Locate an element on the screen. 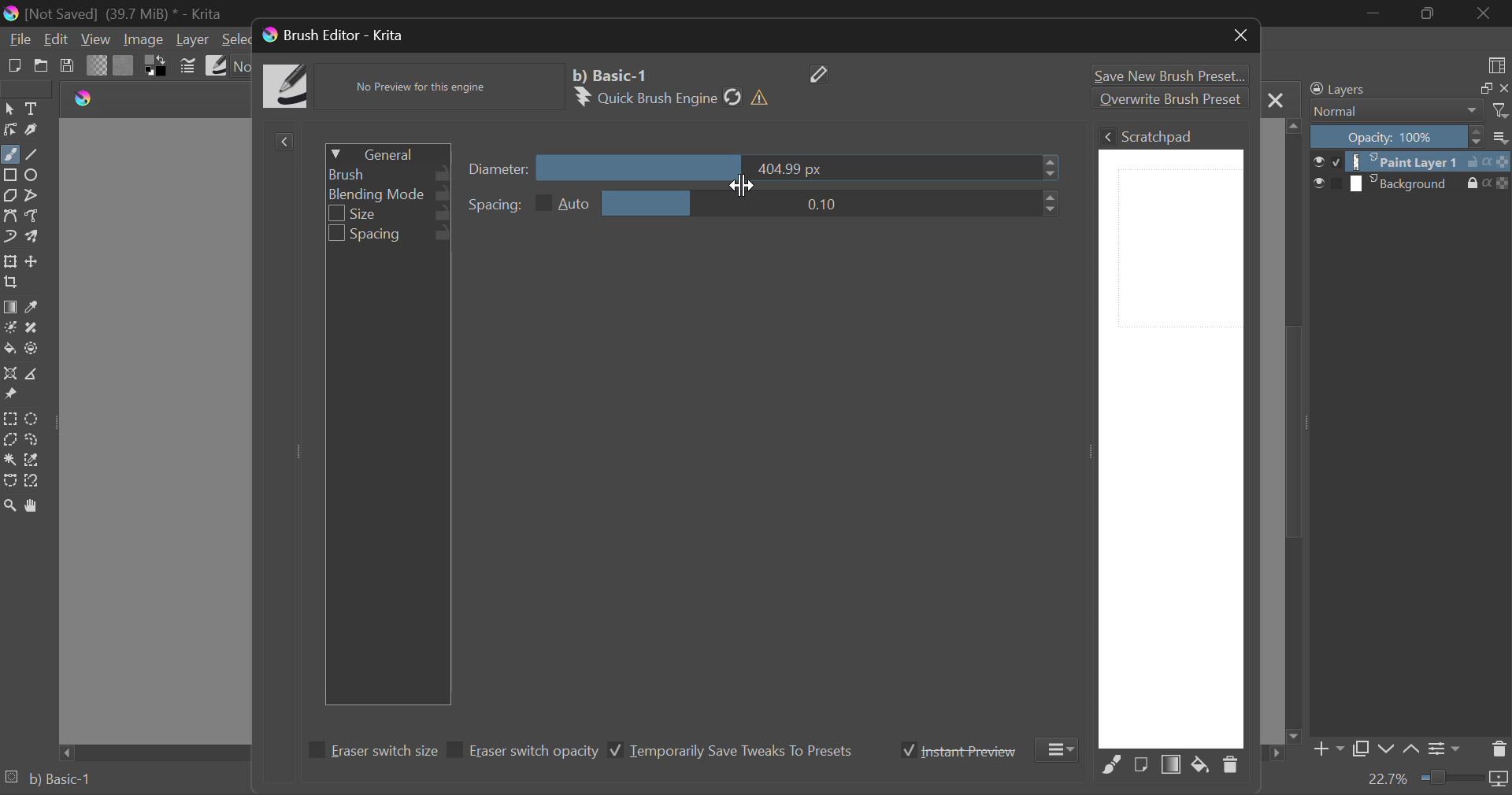 The height and width of the screenshot is (795, 1512). Move Layer Down is located at coordinates (1385, 747).